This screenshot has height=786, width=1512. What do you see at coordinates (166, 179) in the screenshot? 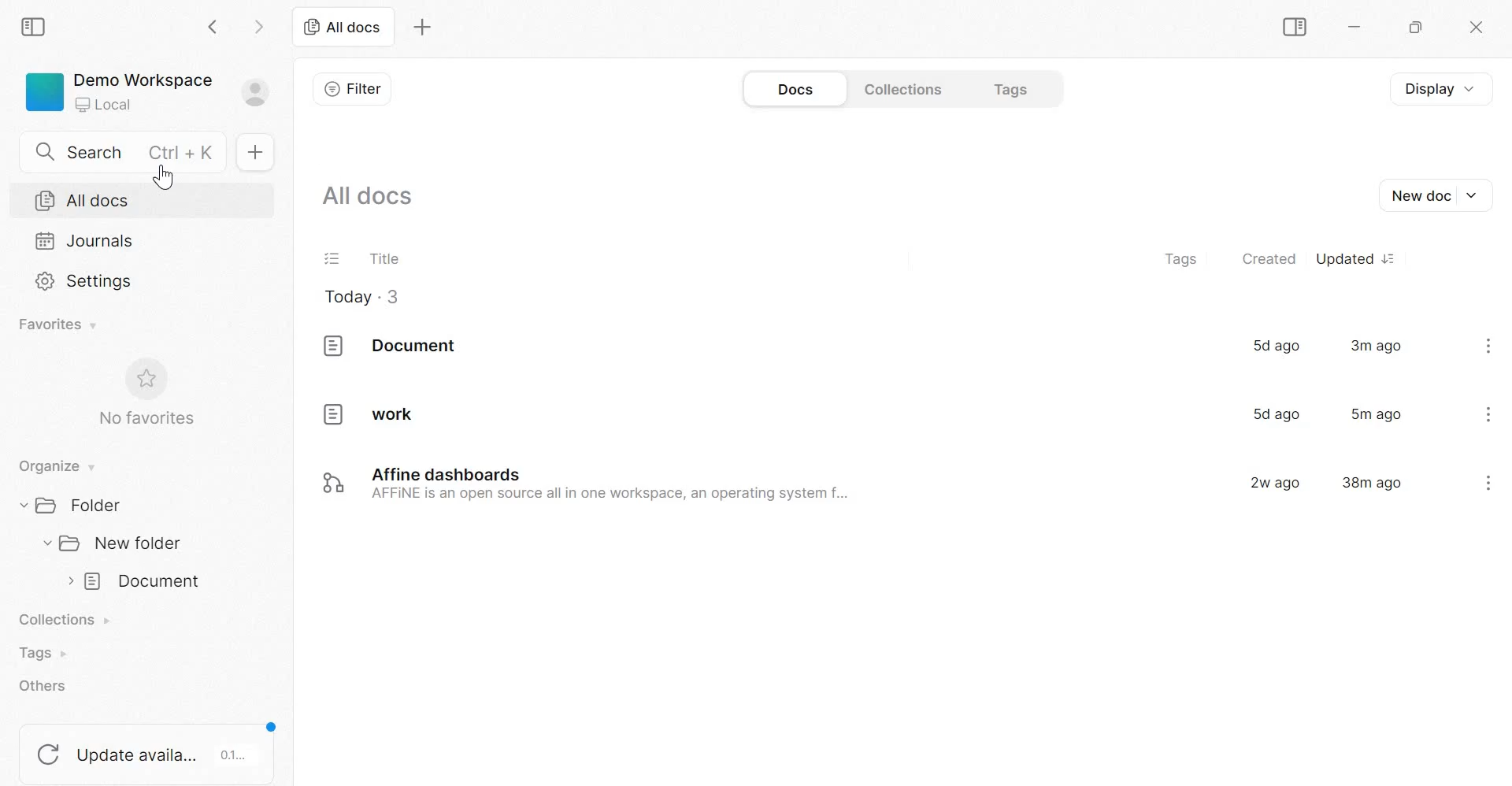
I see `cursor` at bounding box center [166, 179].